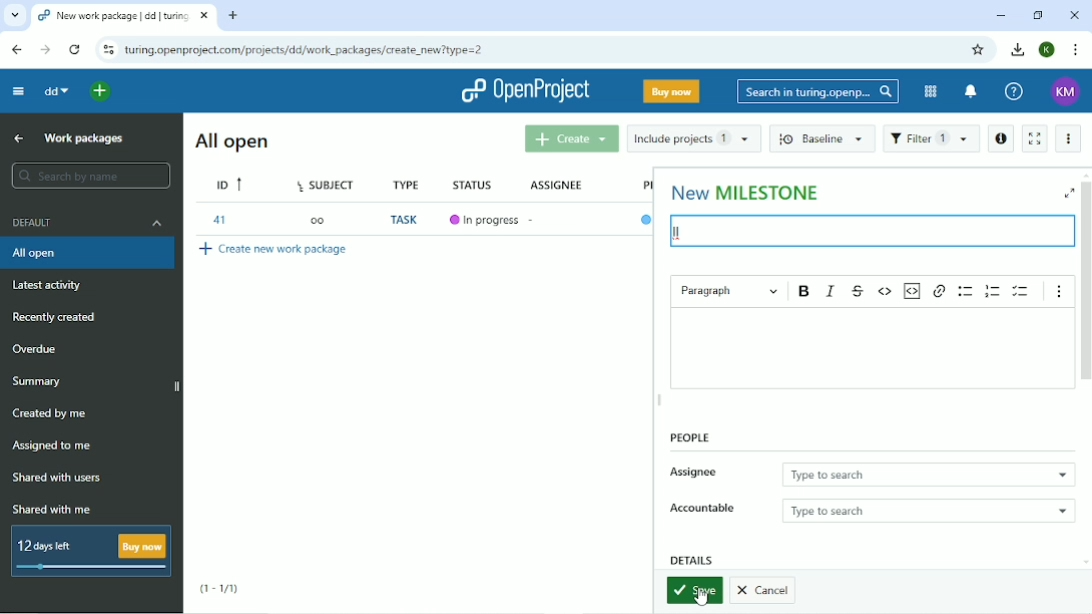  Describe the element at coordinates (822, 140) in the screenshot. I see `Baseline` at that location.